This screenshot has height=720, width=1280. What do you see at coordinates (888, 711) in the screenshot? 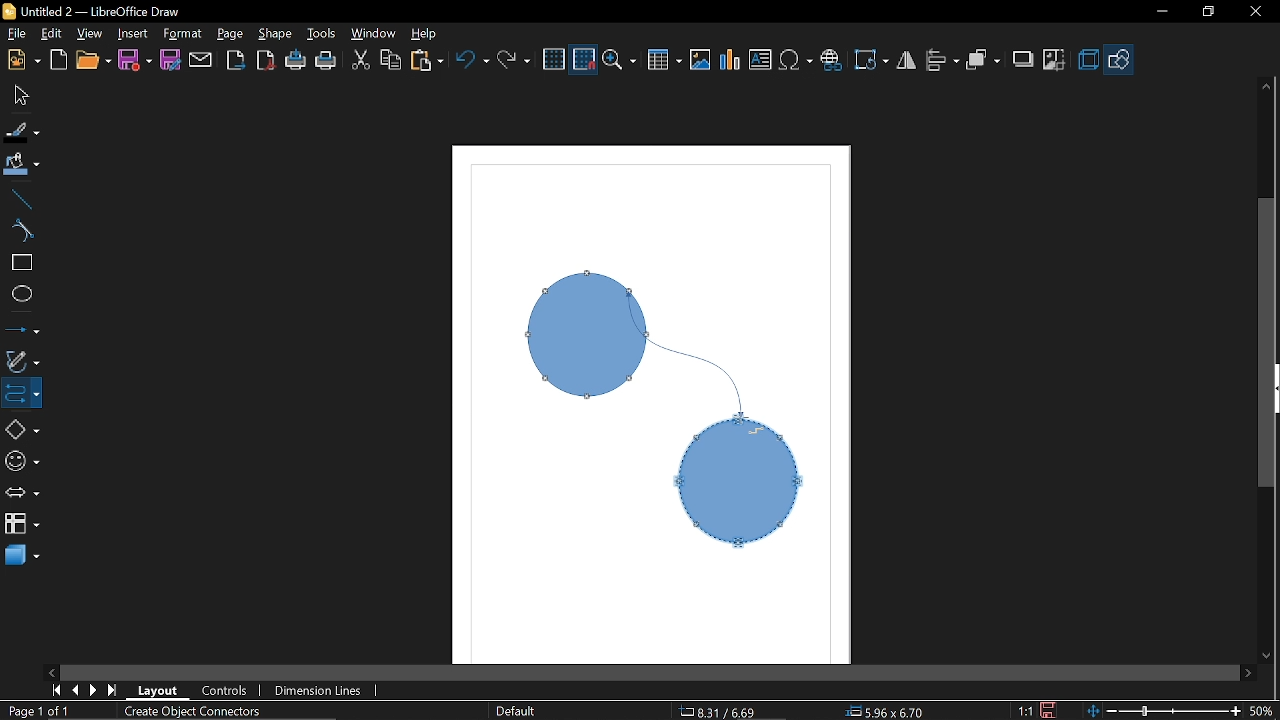
I see `Location` at bounding box center [888, 711].